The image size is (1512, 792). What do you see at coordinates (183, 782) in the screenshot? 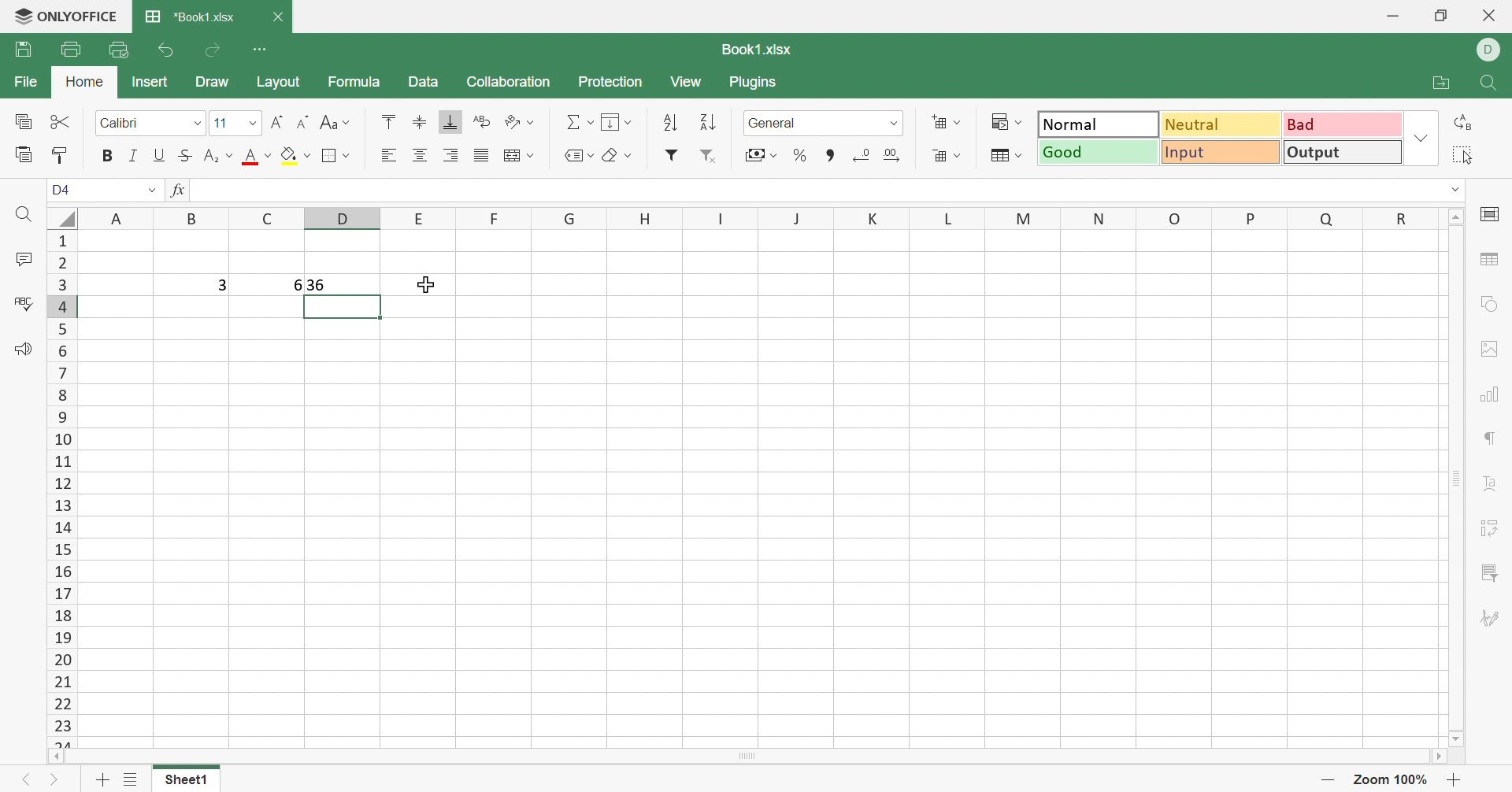
I see `Sheet1` at bounding box center [183, 782].